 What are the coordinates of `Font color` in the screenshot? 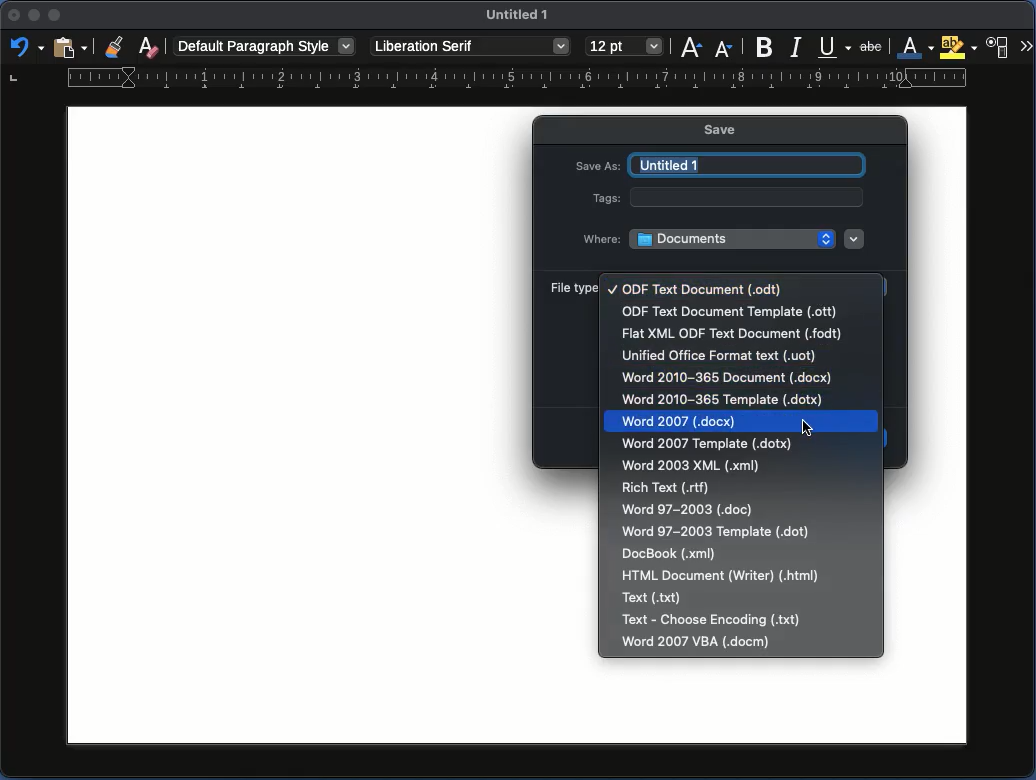 It's located at (916, 48).